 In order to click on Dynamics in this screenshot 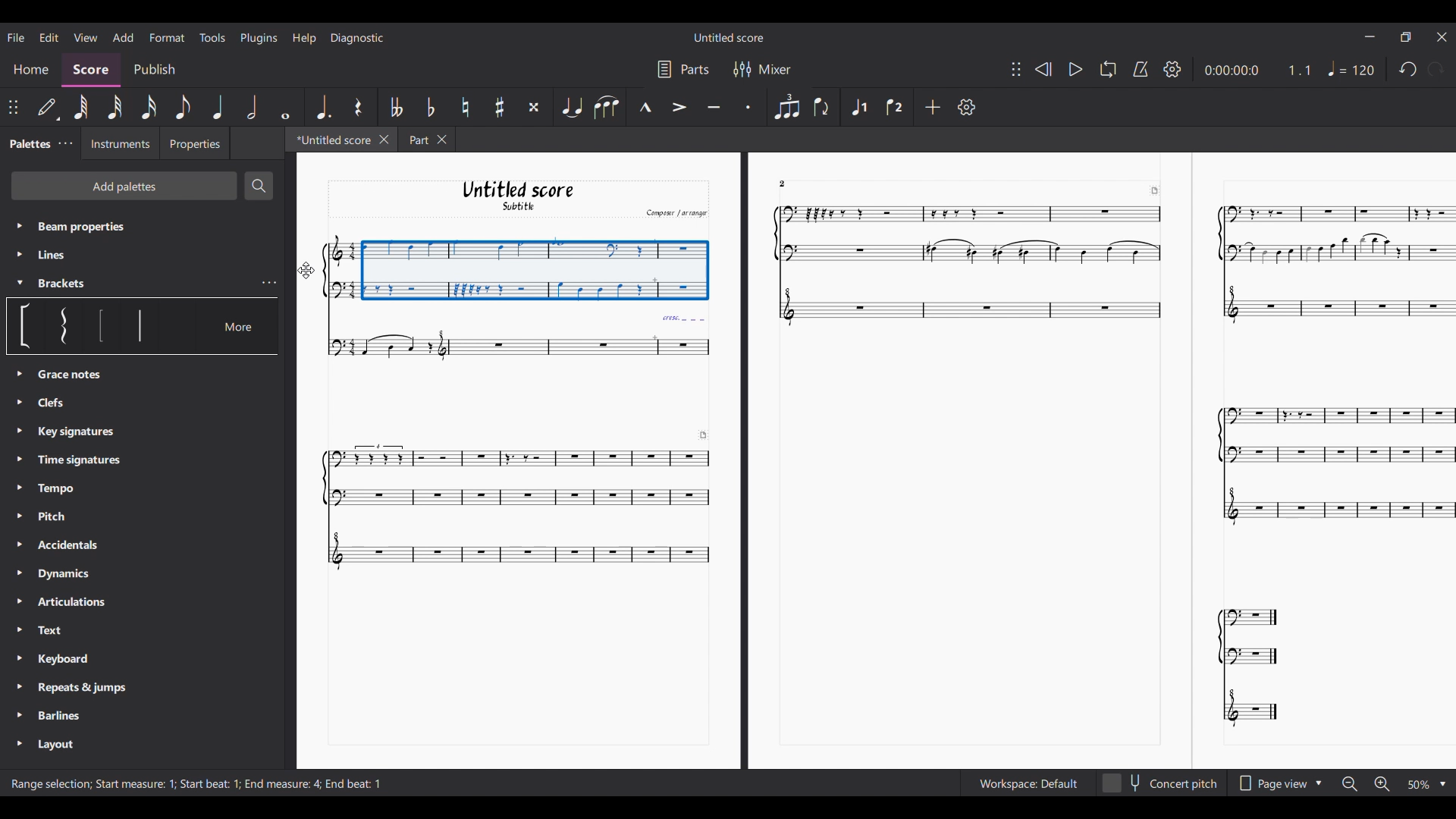, I will do `click(74, 574)`.